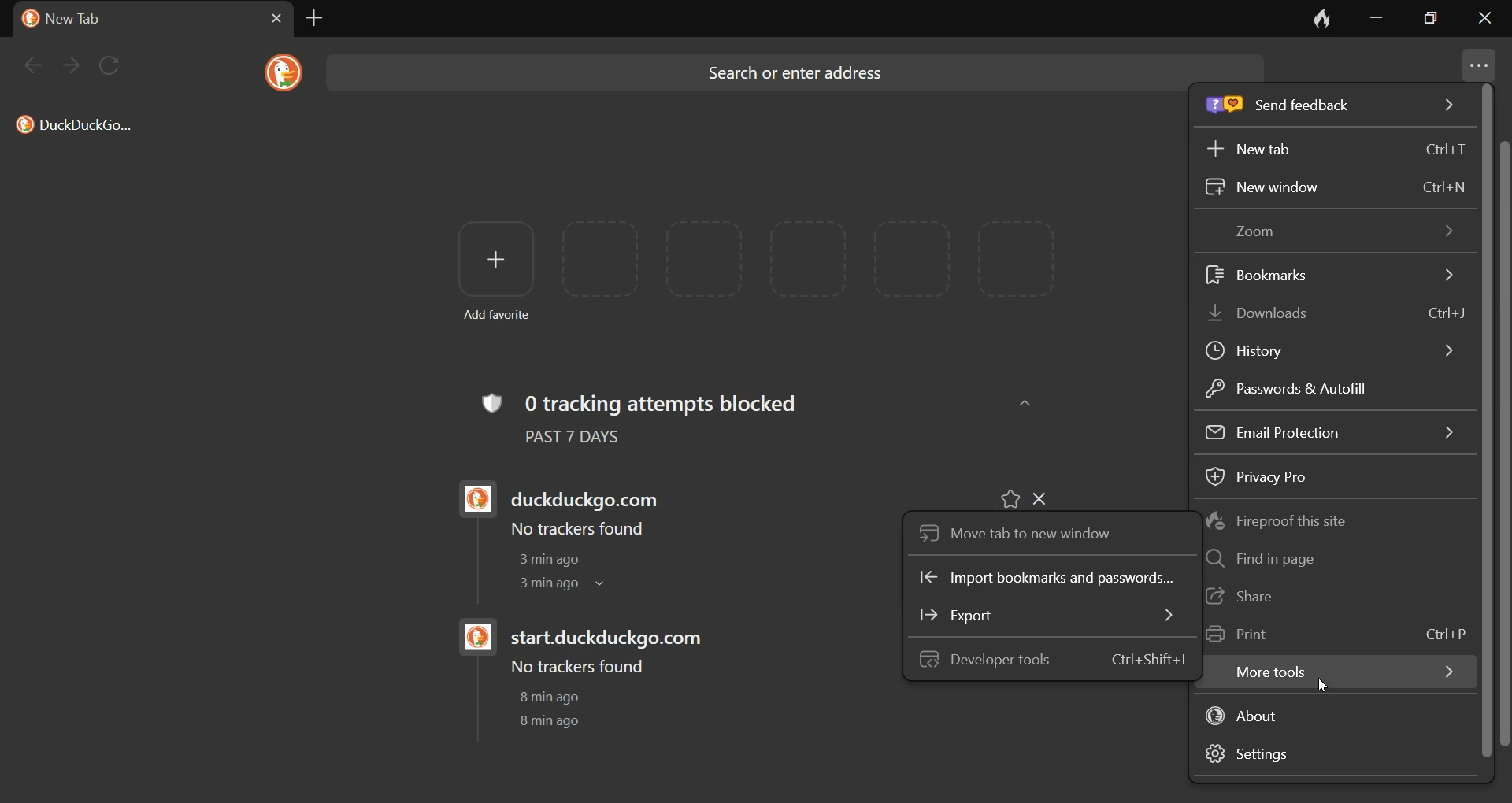 The height and width of the screenshot is (803, 1512). Describe the element at coordinates (1258, 713) in the screenshot. I see `about` at that location.